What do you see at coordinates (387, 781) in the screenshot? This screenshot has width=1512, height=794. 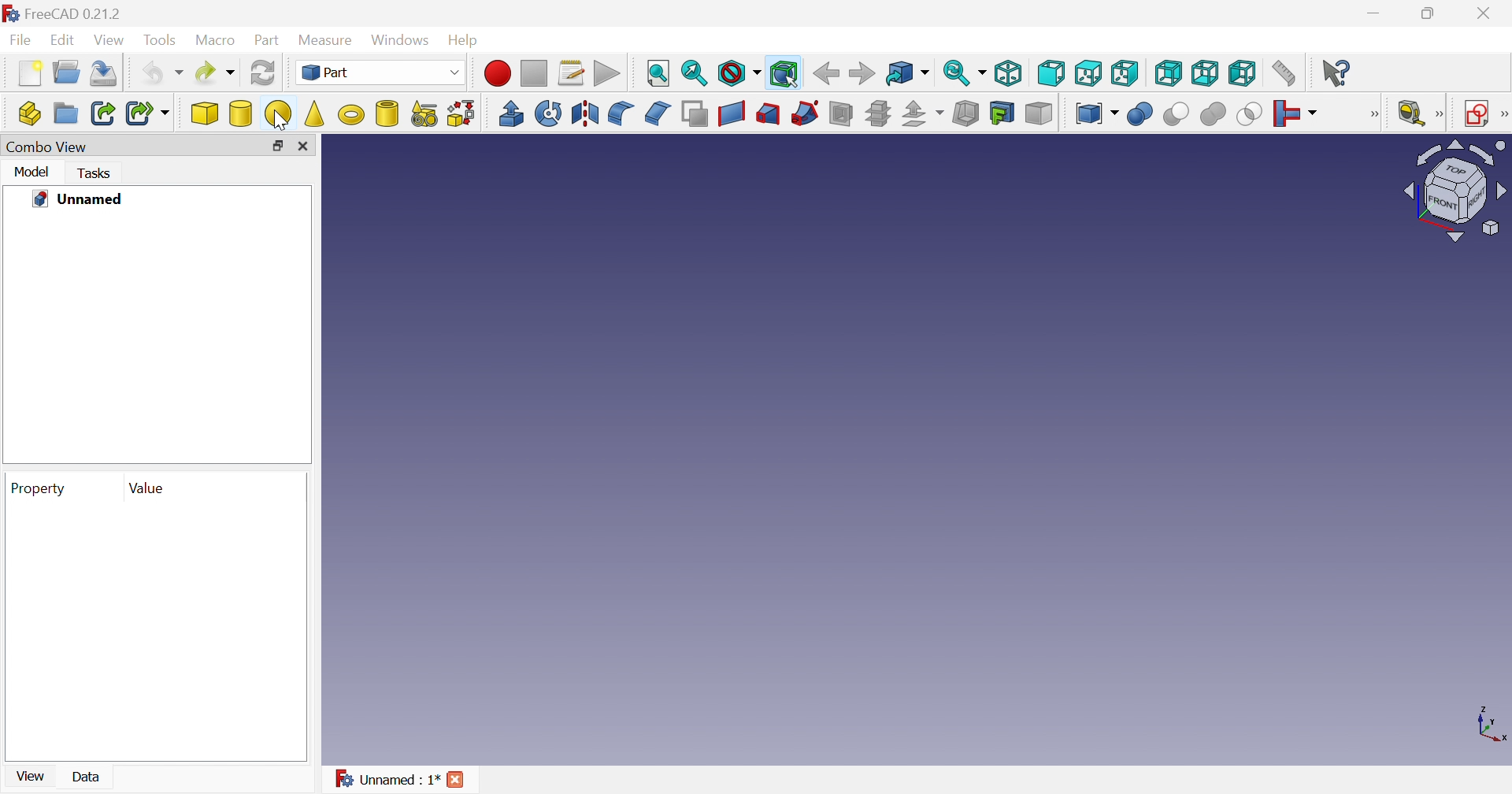 I see `Unnamed: 1` at bounding box center [387, 781].